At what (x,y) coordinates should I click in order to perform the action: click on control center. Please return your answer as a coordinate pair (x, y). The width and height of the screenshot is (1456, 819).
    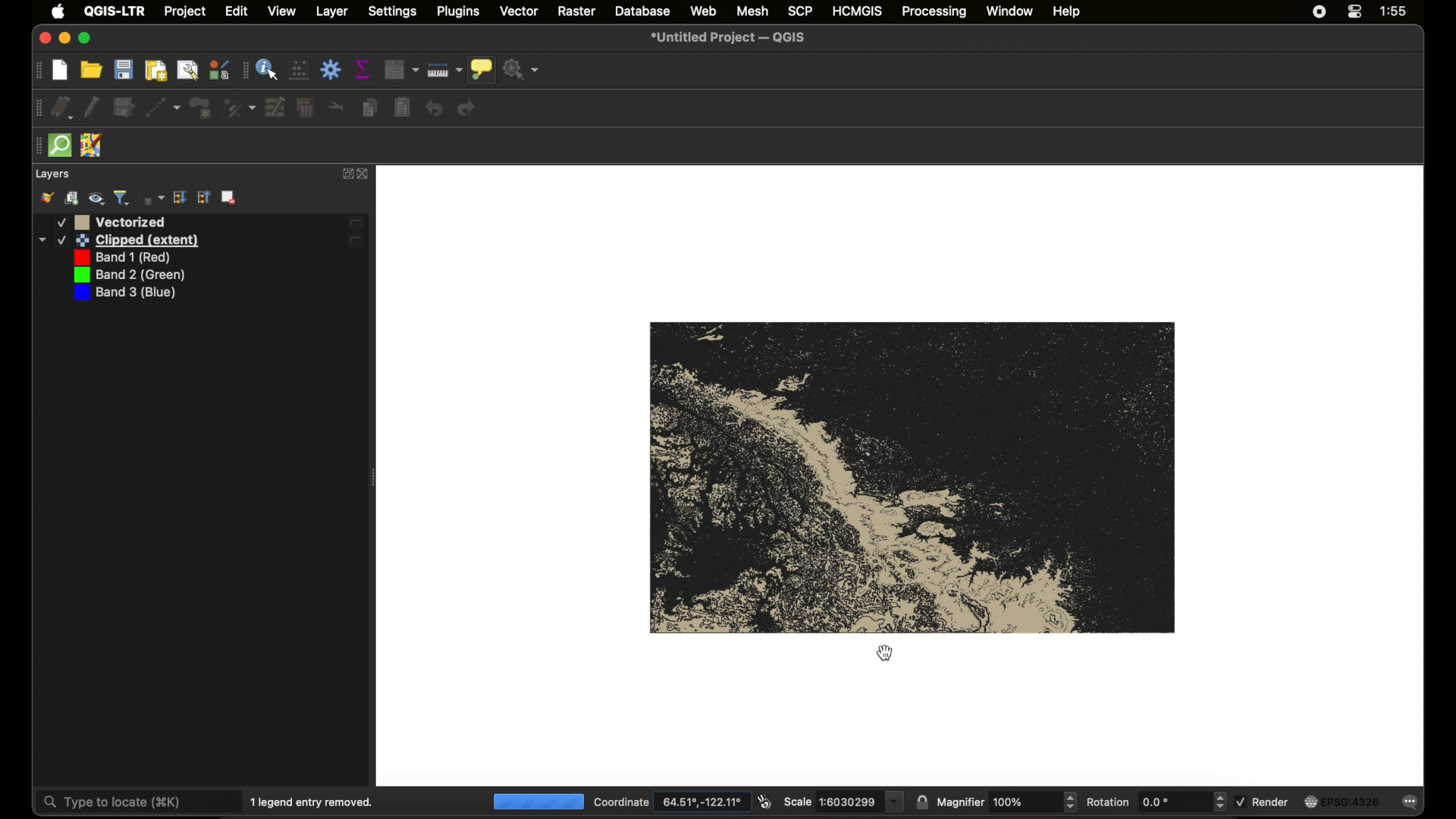
    Looking at the image, I should click on (1355, 12).